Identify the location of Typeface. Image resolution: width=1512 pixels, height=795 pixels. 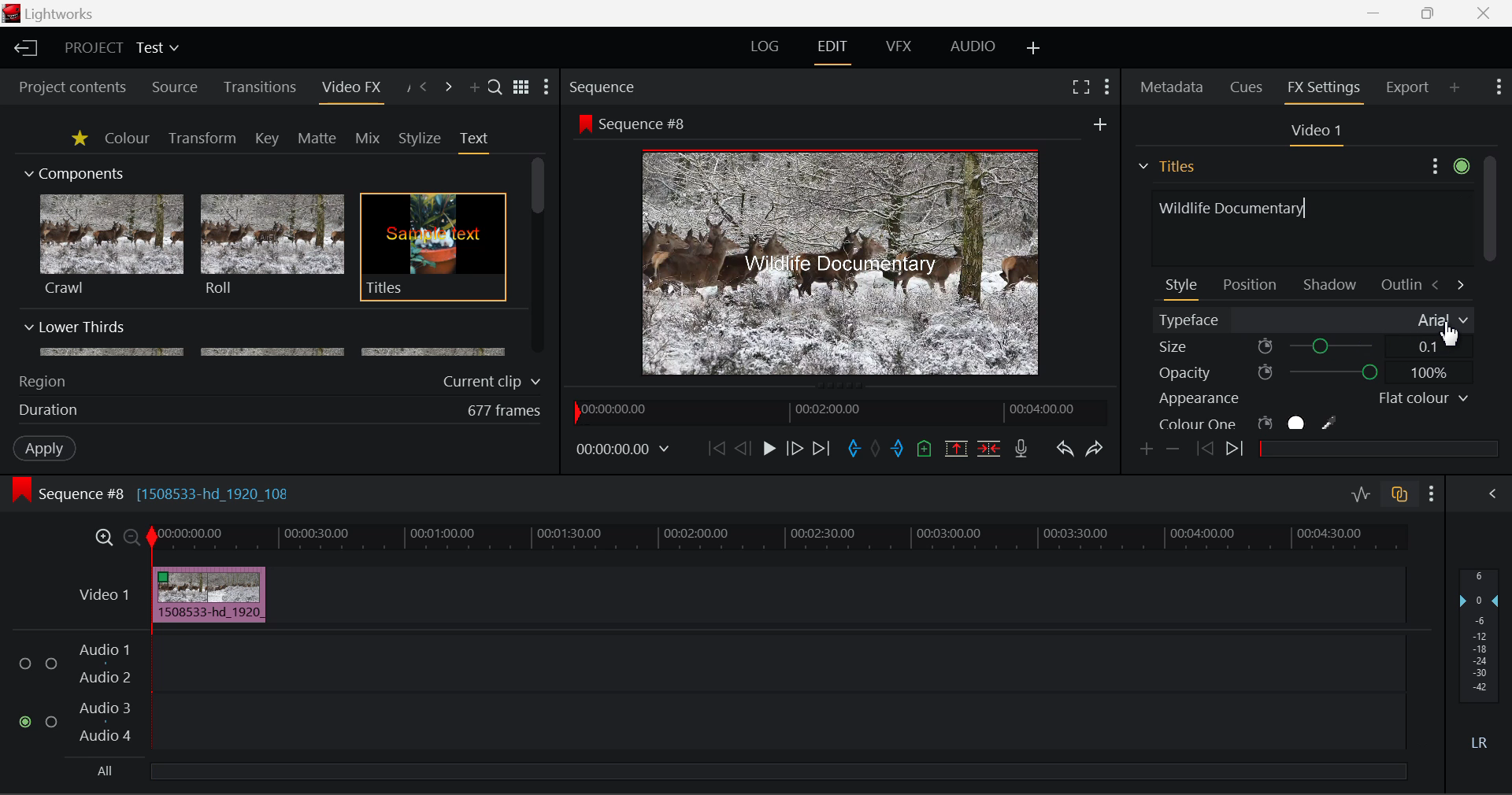
(1314, 320).